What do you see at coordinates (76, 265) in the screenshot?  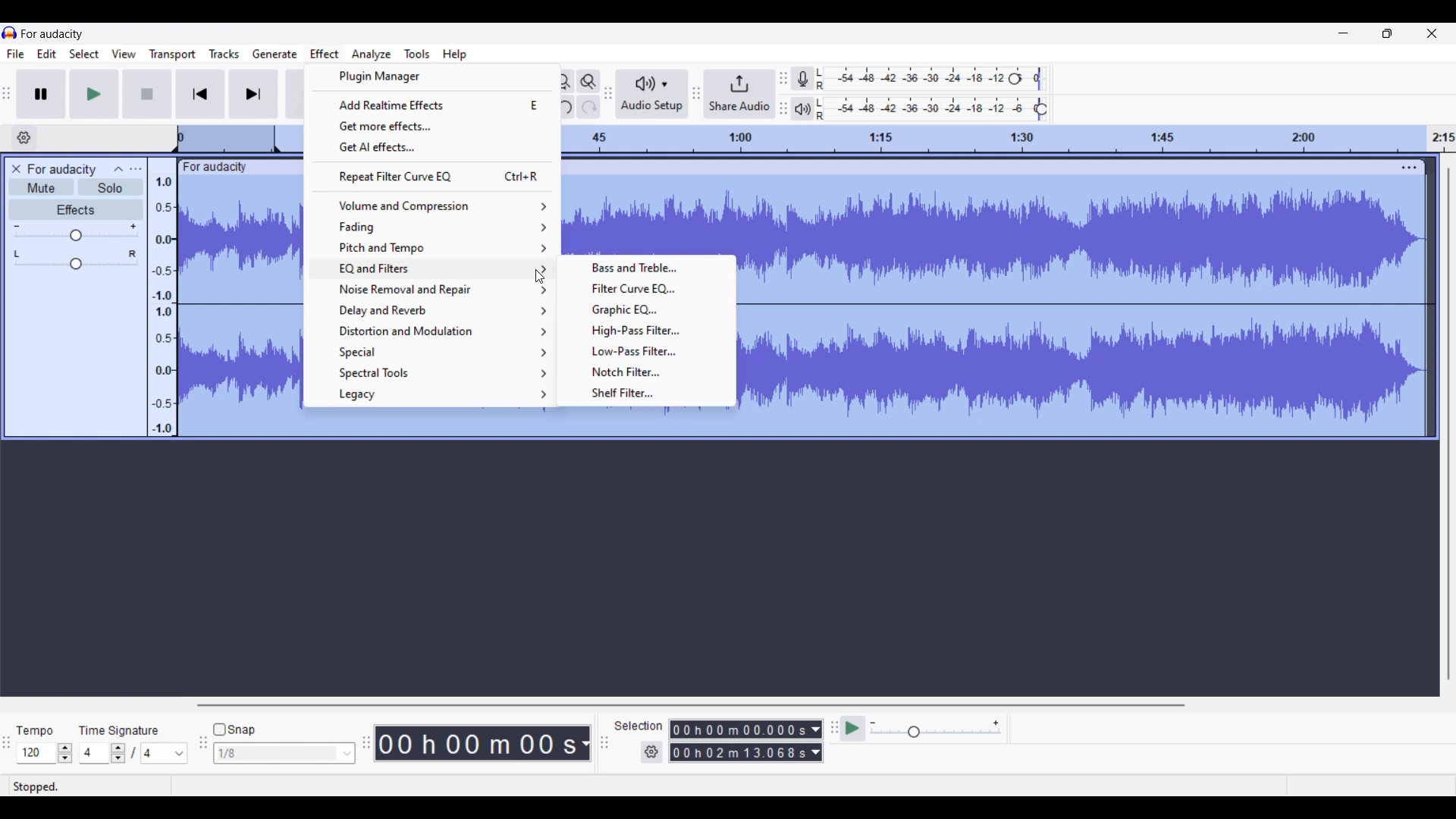 I see `Change pan` at bounding box center [76, 265].